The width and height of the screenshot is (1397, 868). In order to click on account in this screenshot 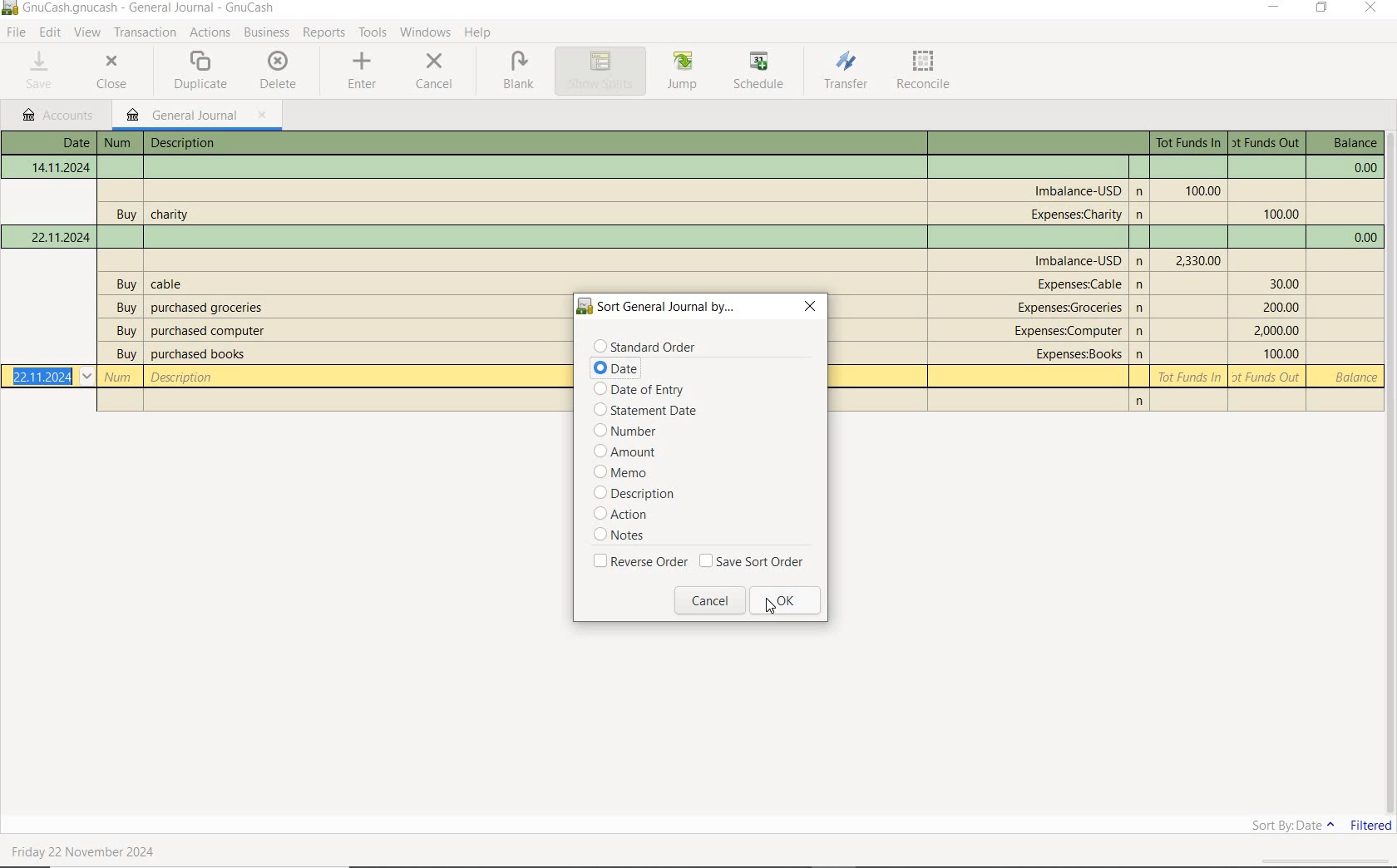, I will do `click(1070, 331)`.